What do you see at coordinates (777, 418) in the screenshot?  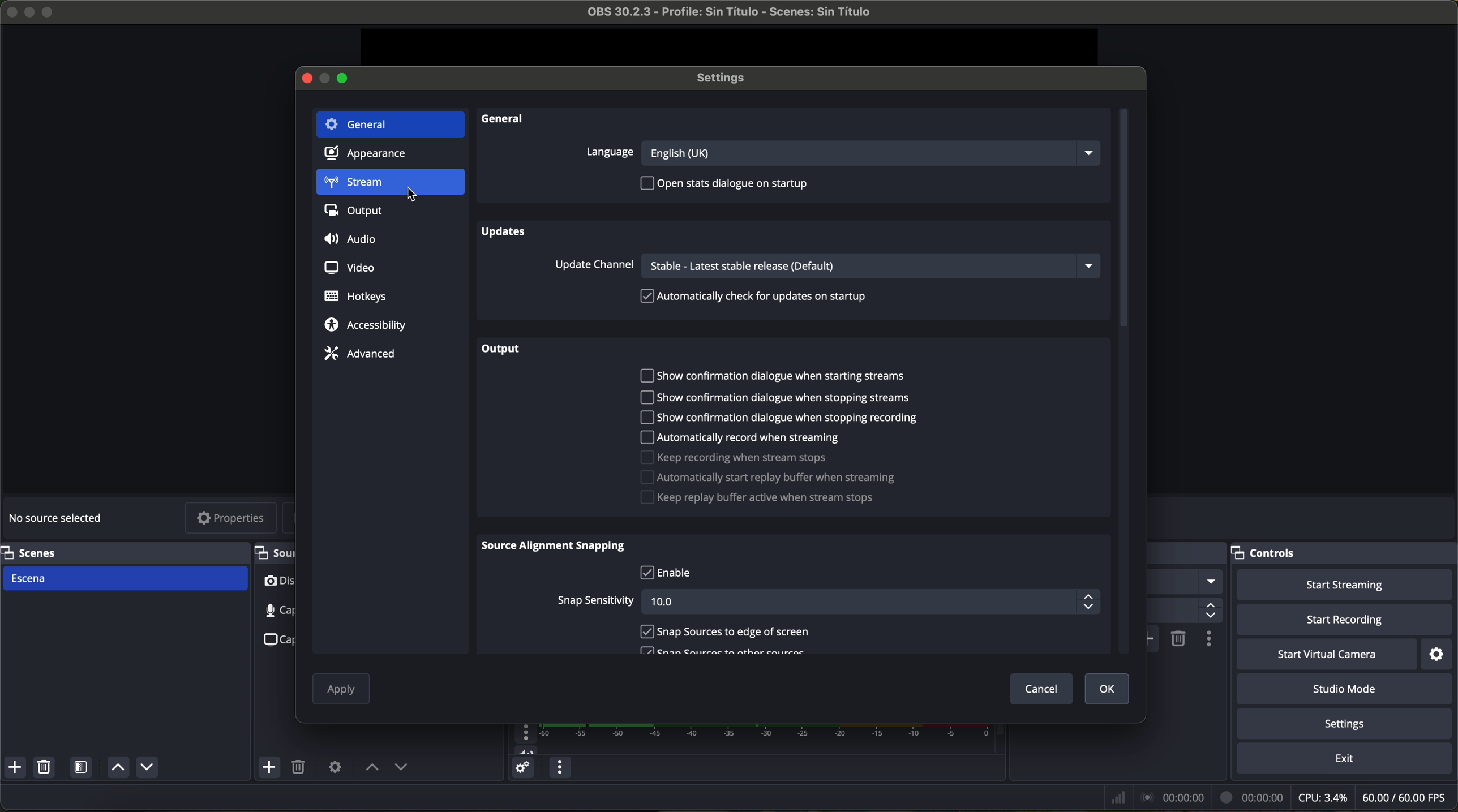 I see `show confirmation dialogue` at bounding box center [777, 418].